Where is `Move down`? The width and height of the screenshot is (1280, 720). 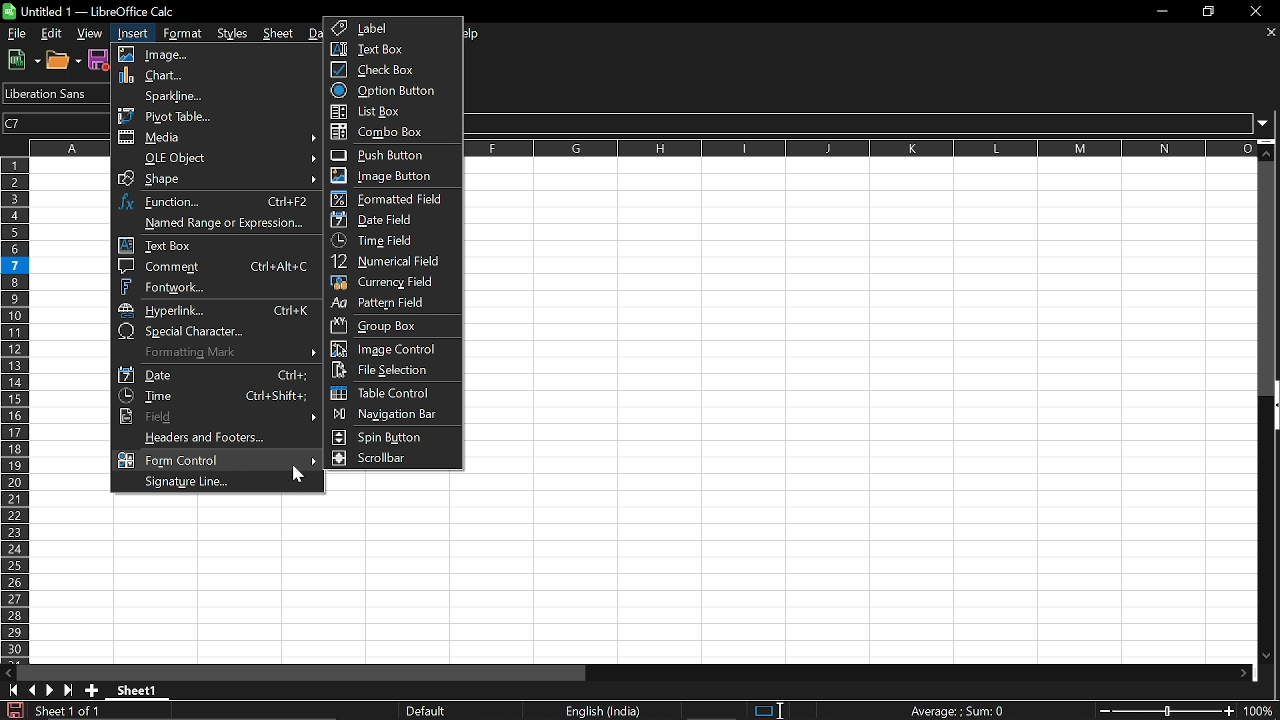 Move down is located at coordinates (1266, 657).